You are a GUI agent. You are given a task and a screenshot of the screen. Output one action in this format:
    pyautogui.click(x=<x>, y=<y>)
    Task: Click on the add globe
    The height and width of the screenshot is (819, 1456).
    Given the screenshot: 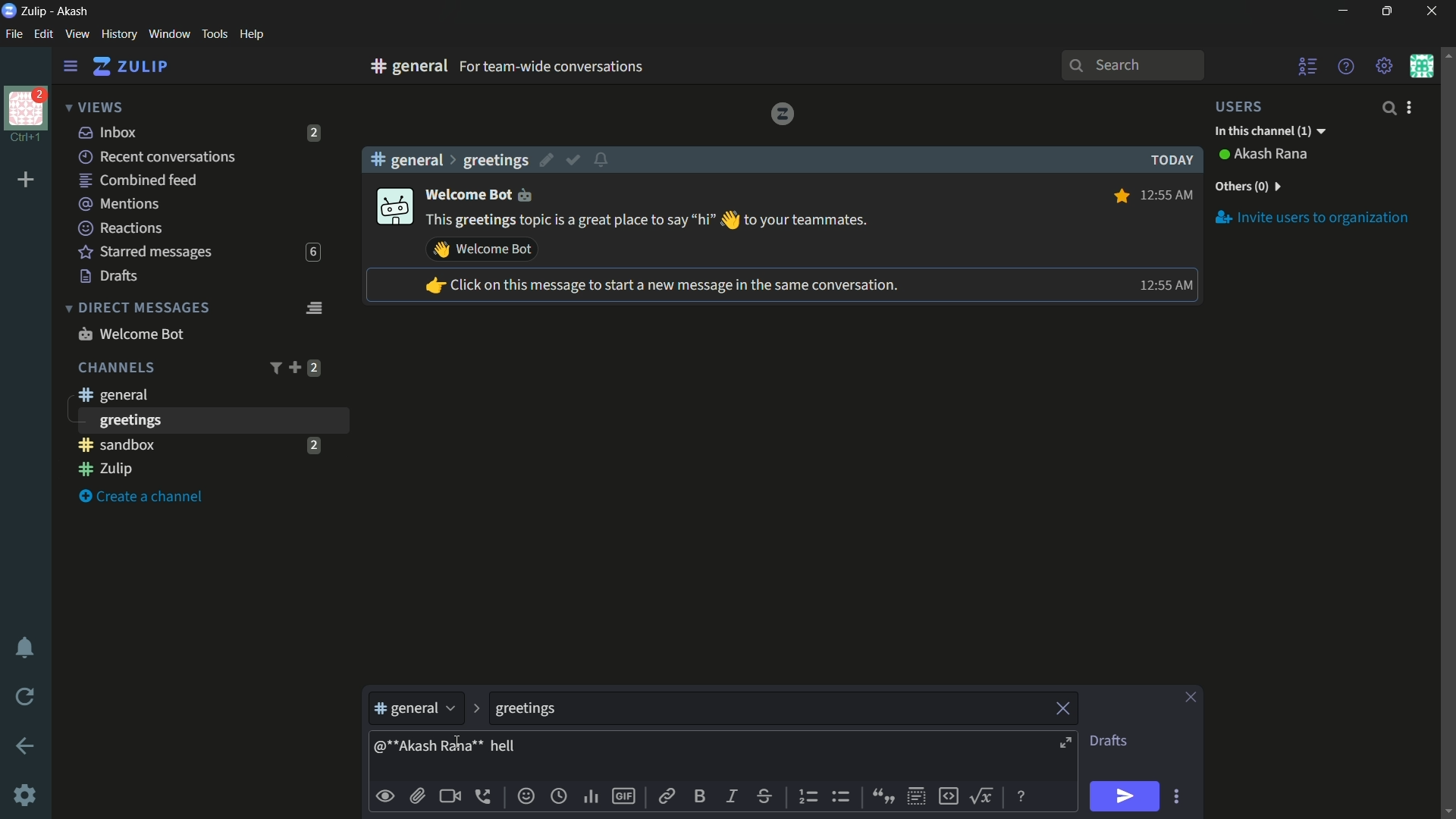 What is the action you would take?
    pyautogui.click(x=559, y=798)
    